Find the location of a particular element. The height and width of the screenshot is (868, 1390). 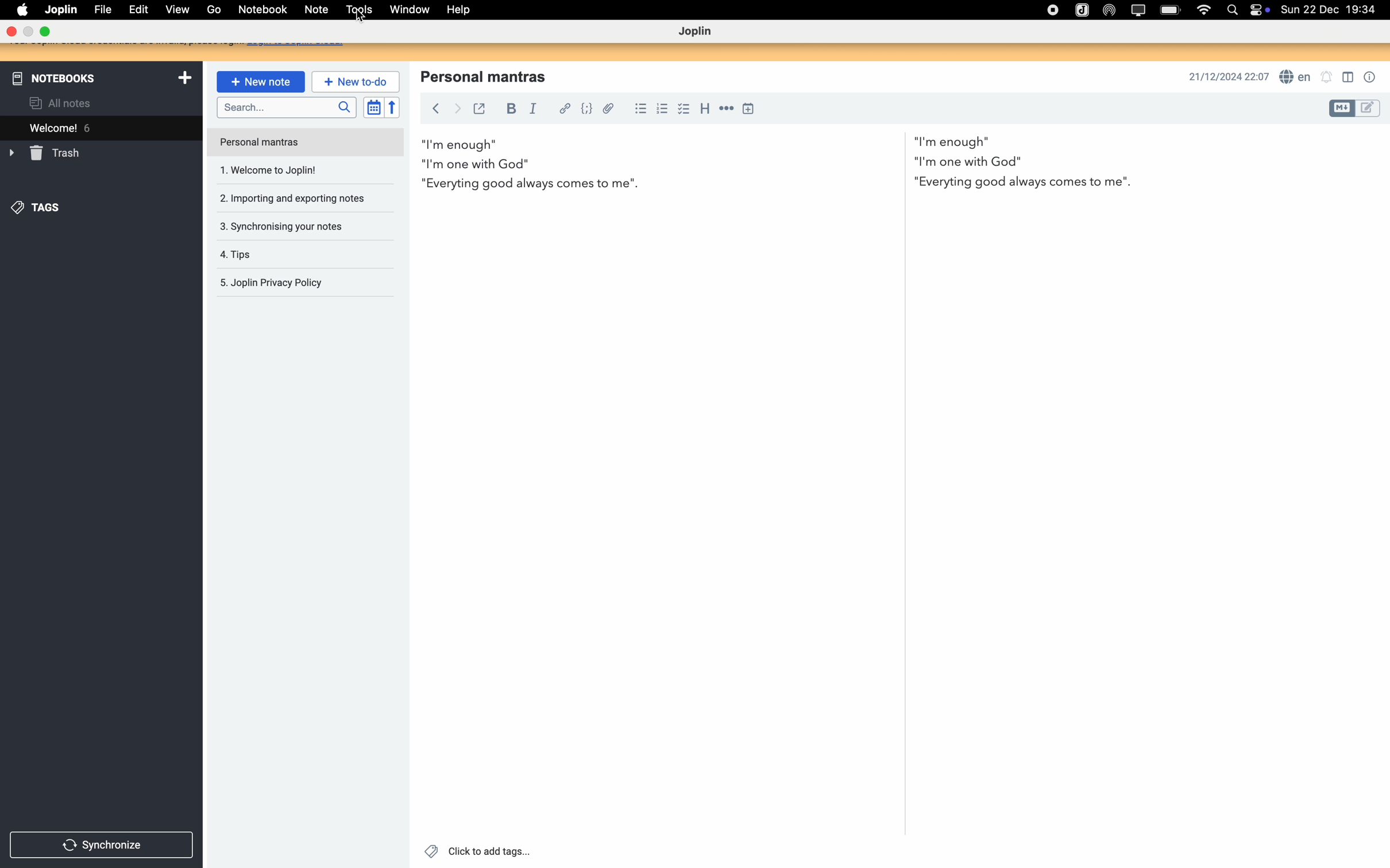

edit is located at coordinates (138, 9).